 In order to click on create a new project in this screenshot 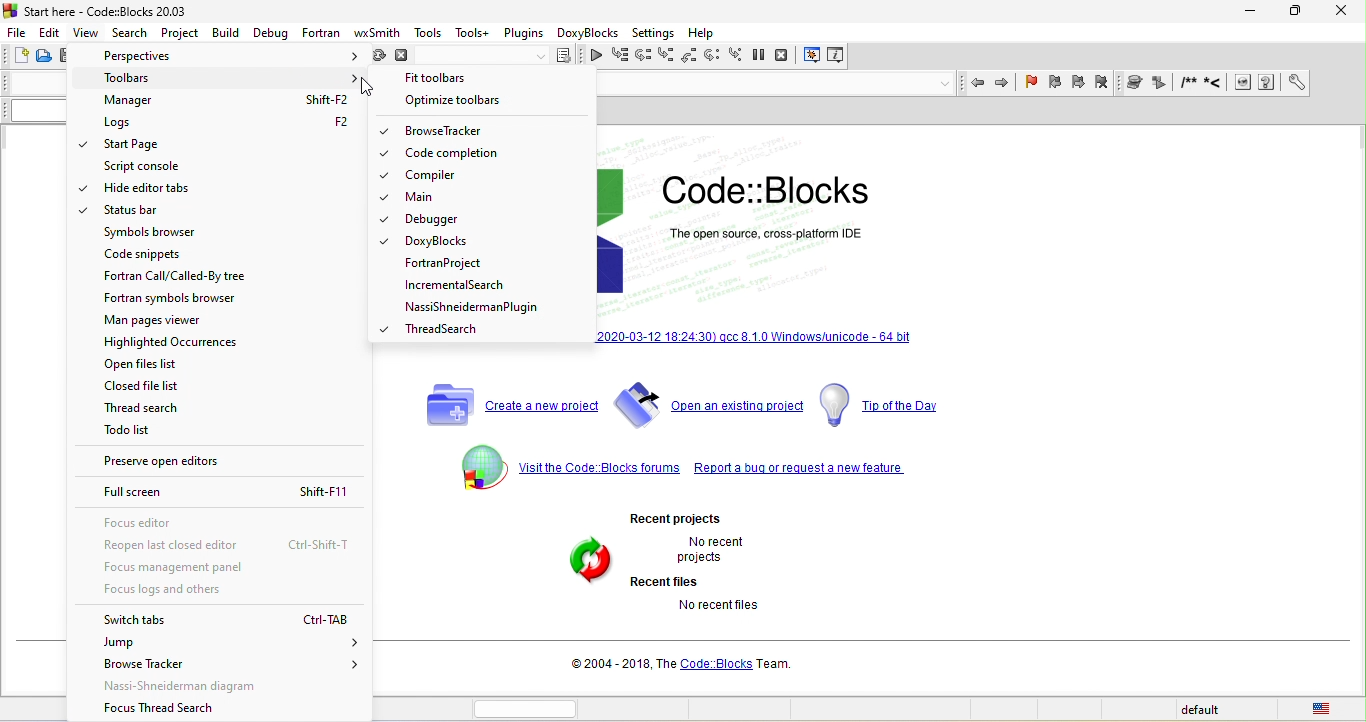, I will do `click(503, 405)`.